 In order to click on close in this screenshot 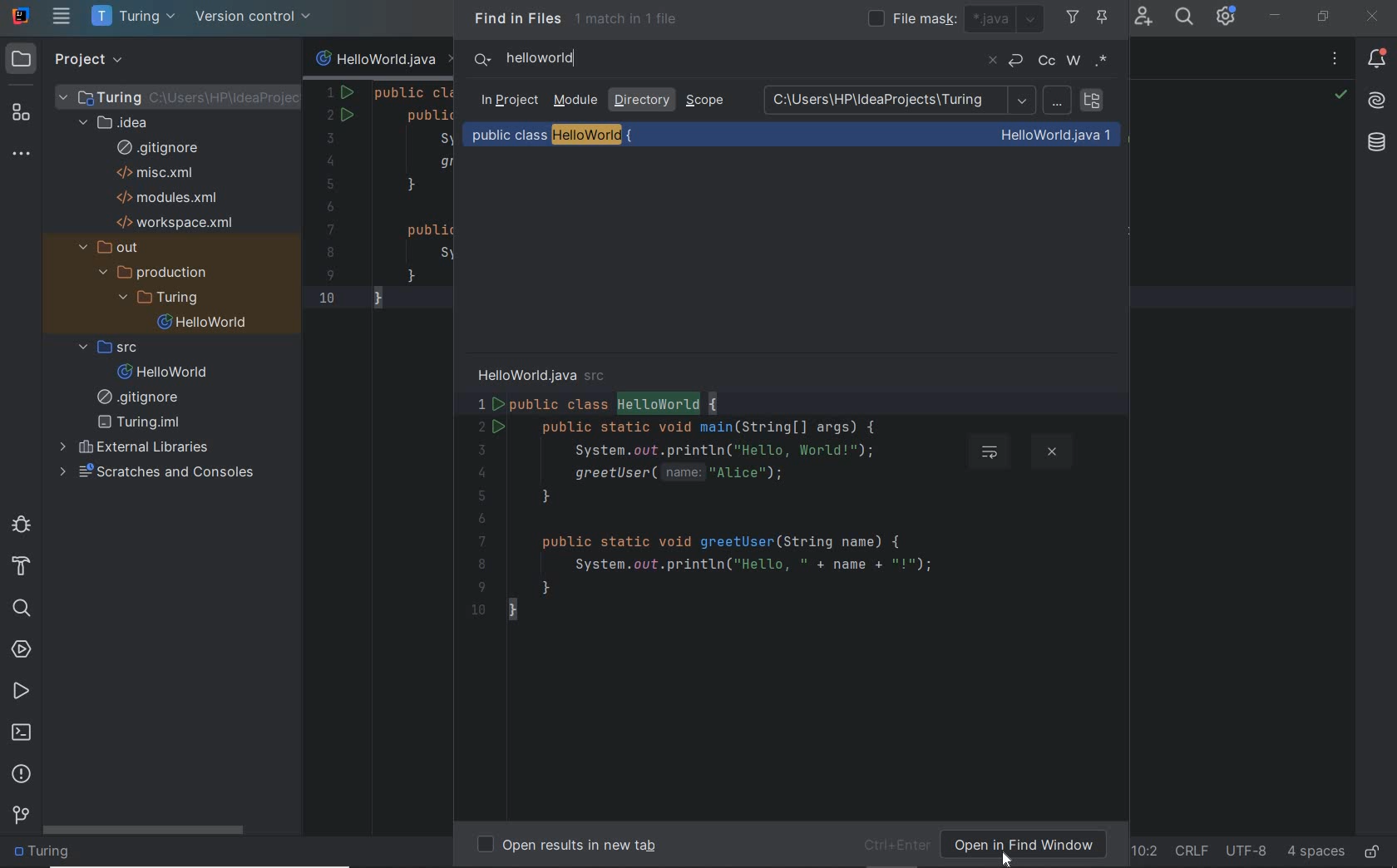, I will do `click(990, 62)`.